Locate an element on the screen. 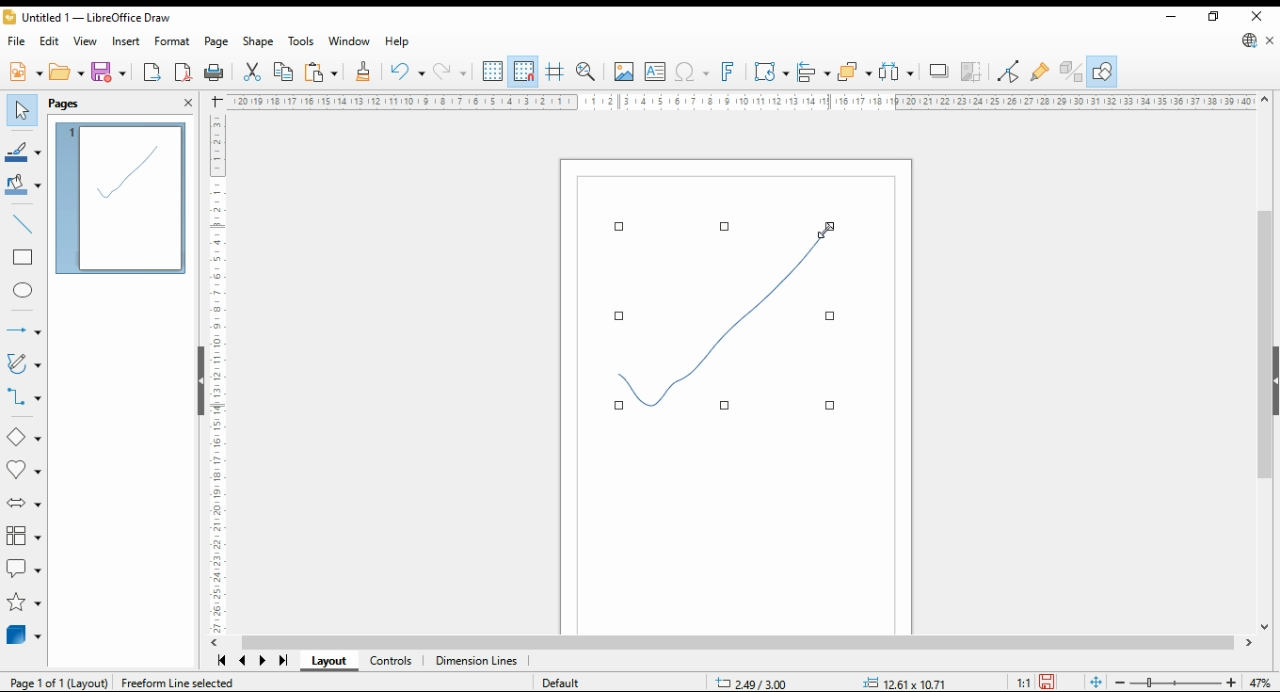 Image resolution: width=1280 pixels, height=692 pixels. page 1 is located at coordinates (122, 198).